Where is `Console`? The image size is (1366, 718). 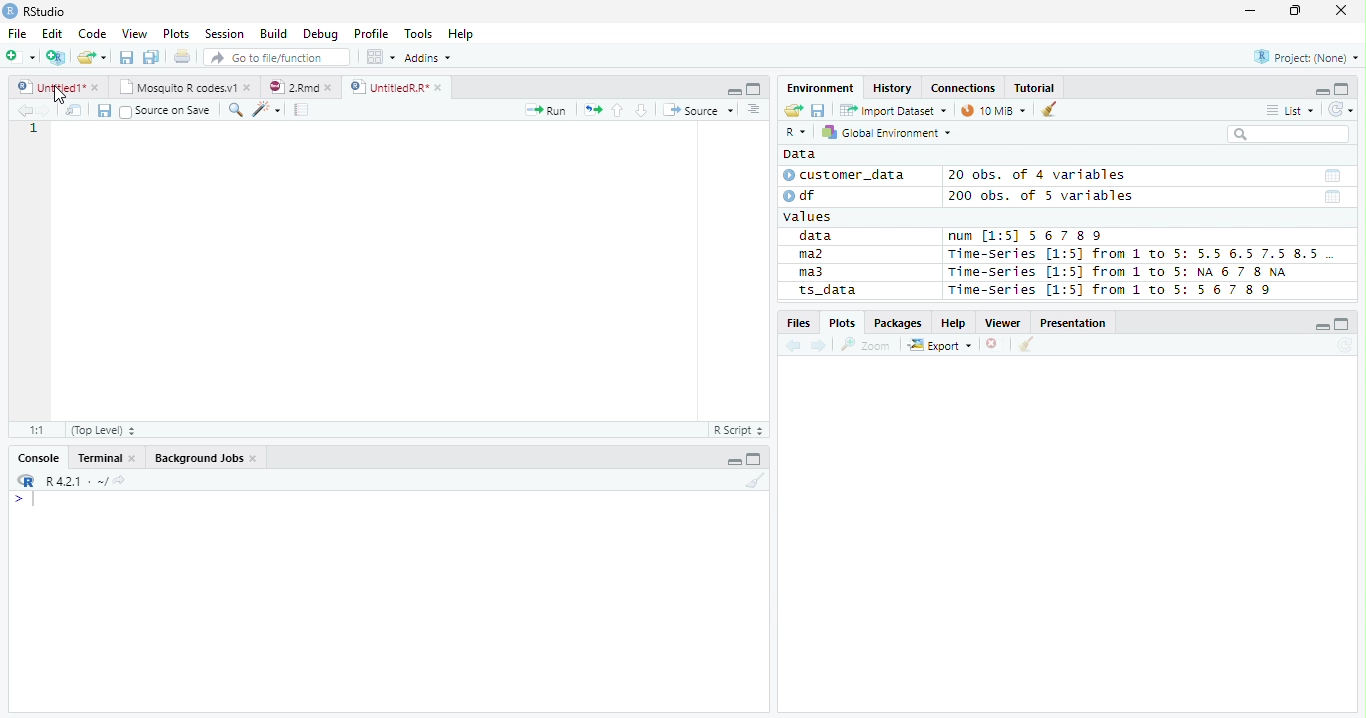
Console is located at coordinates (39, 456).